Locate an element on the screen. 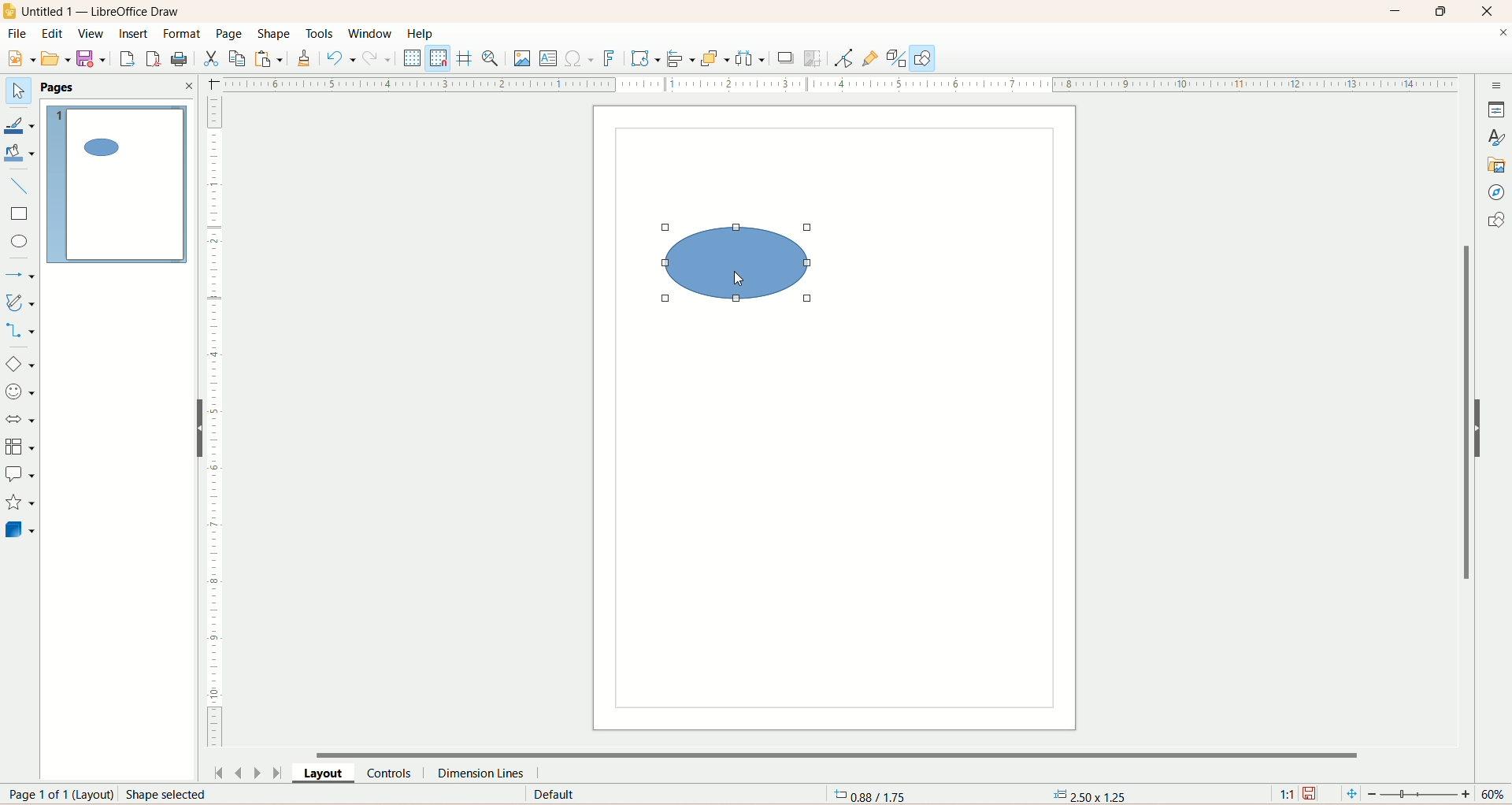 Image resolution: width=1512 pixels, height=805 pixels. next page is located at coordinates (259, 773).